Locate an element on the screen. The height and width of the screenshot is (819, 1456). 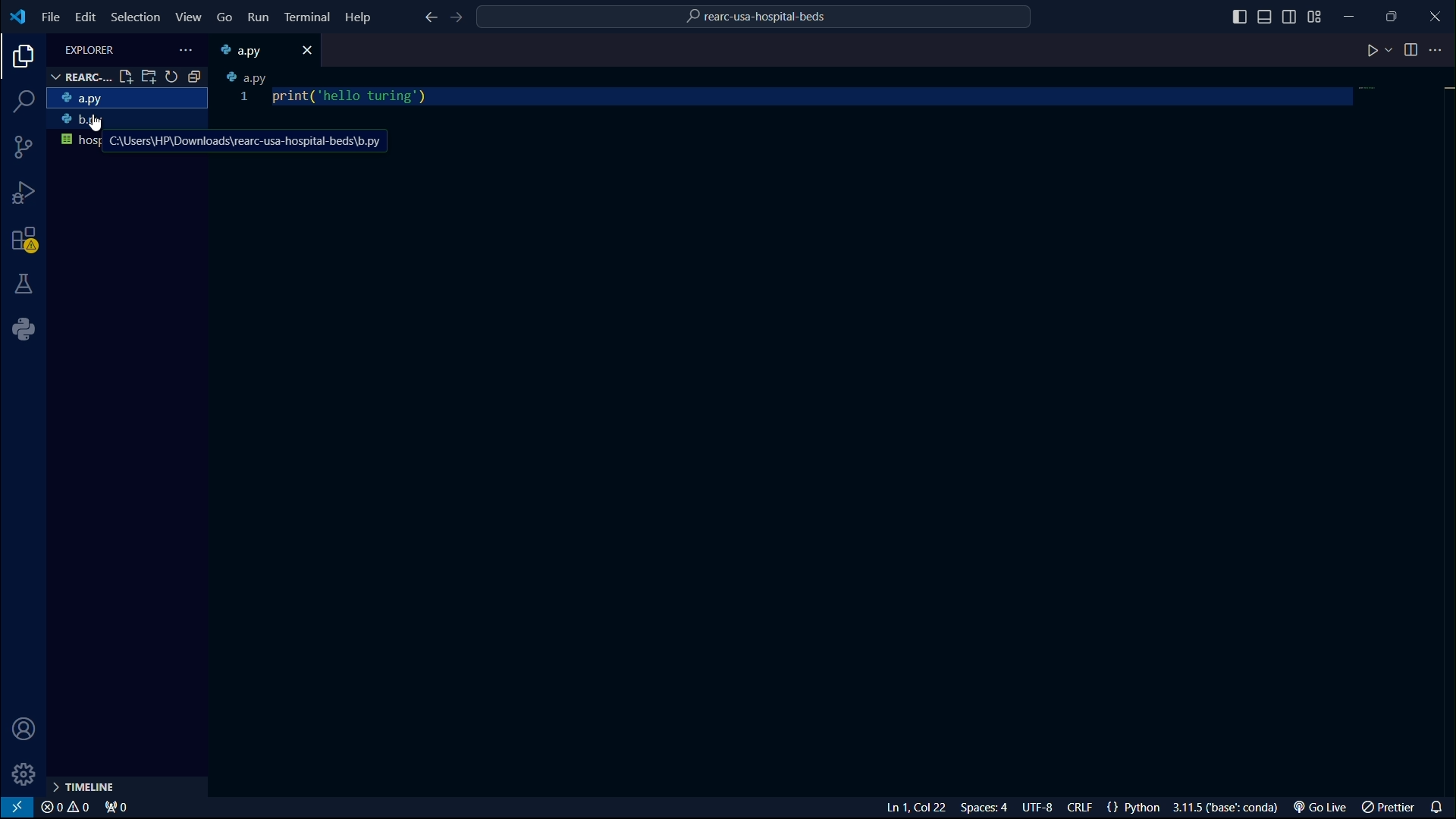
manage is located at coordinates (22, 774).